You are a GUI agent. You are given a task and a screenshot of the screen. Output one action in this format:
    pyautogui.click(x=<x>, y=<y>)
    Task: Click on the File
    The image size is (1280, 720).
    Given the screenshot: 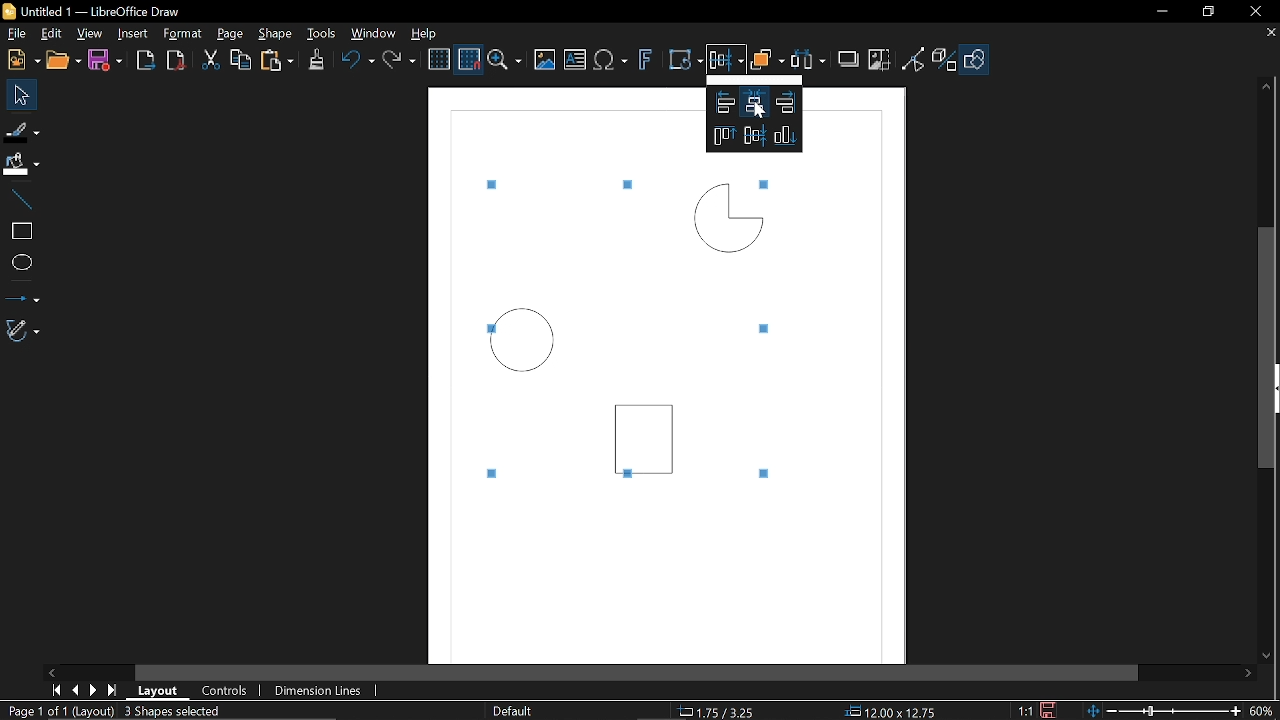 What is the action you would take?
    pyautogui.click(x=17, y=32)
    